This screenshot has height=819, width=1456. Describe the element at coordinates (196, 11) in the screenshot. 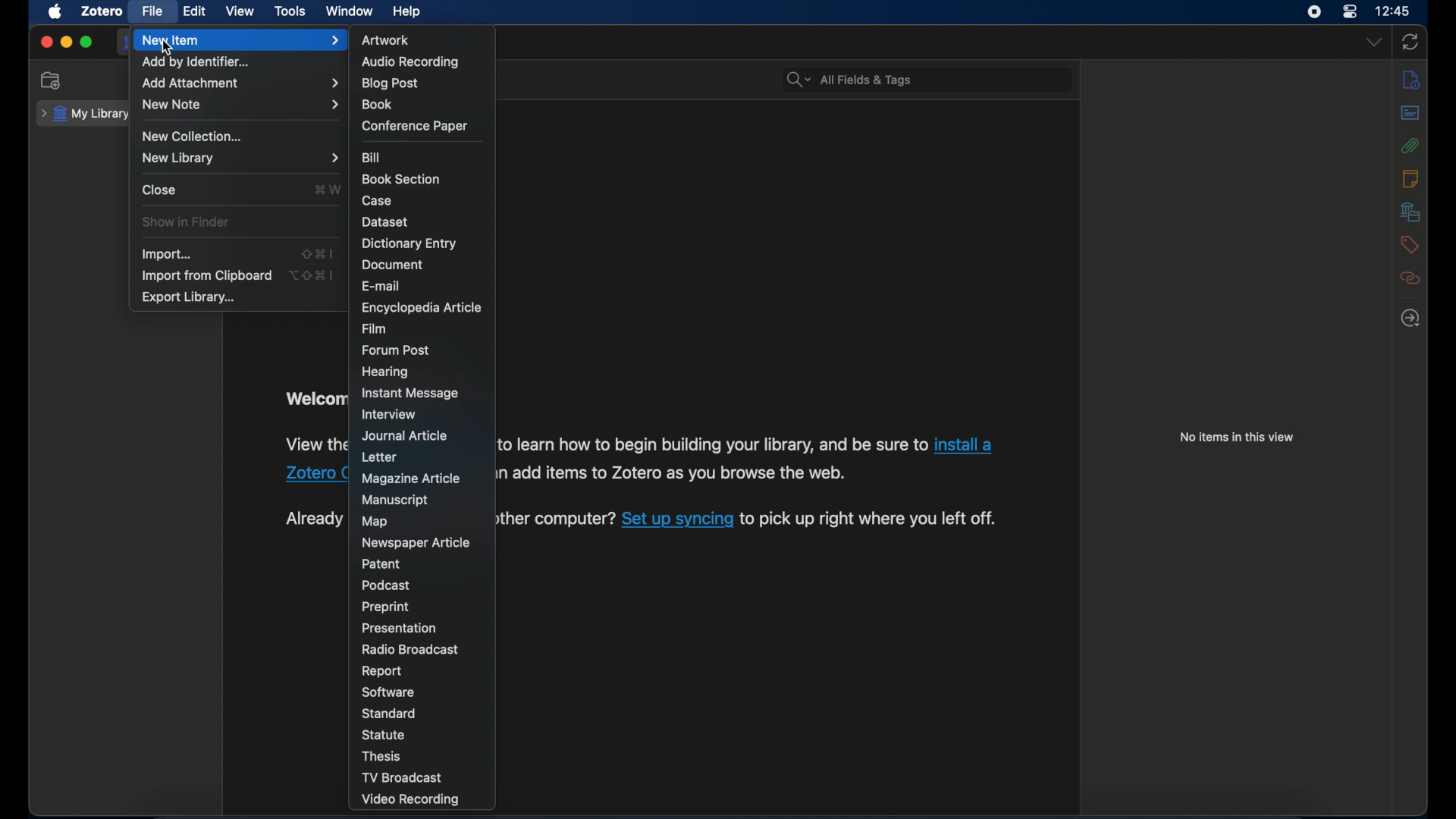

I see `edit` at that location.